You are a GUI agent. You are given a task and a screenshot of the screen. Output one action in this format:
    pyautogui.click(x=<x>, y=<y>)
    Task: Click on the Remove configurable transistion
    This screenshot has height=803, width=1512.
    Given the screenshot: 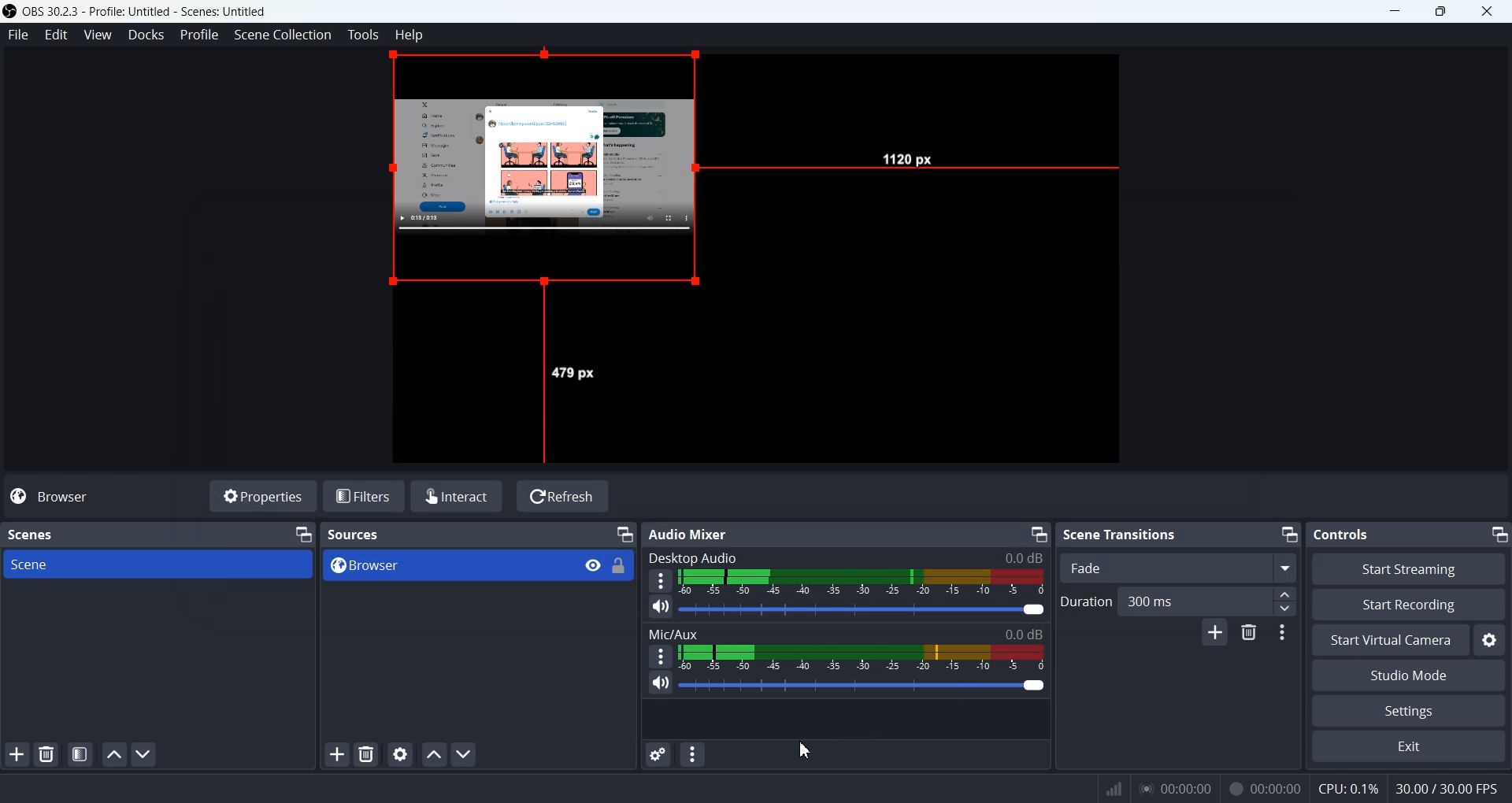 What is the action you would take?
    pyautogui.click(x=1251, y=634)
    